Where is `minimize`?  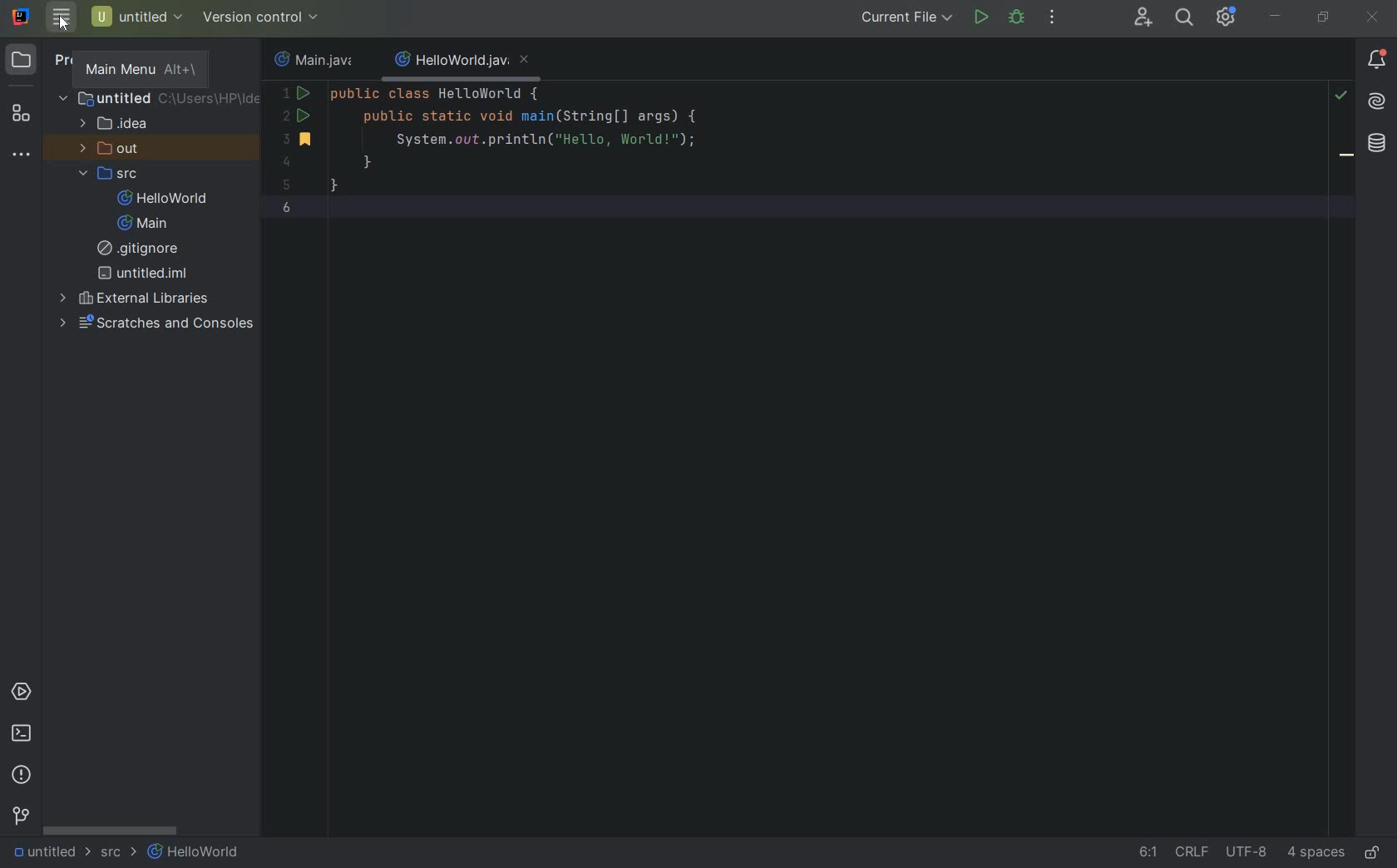 minimize is located at coordinates (1276, 16).